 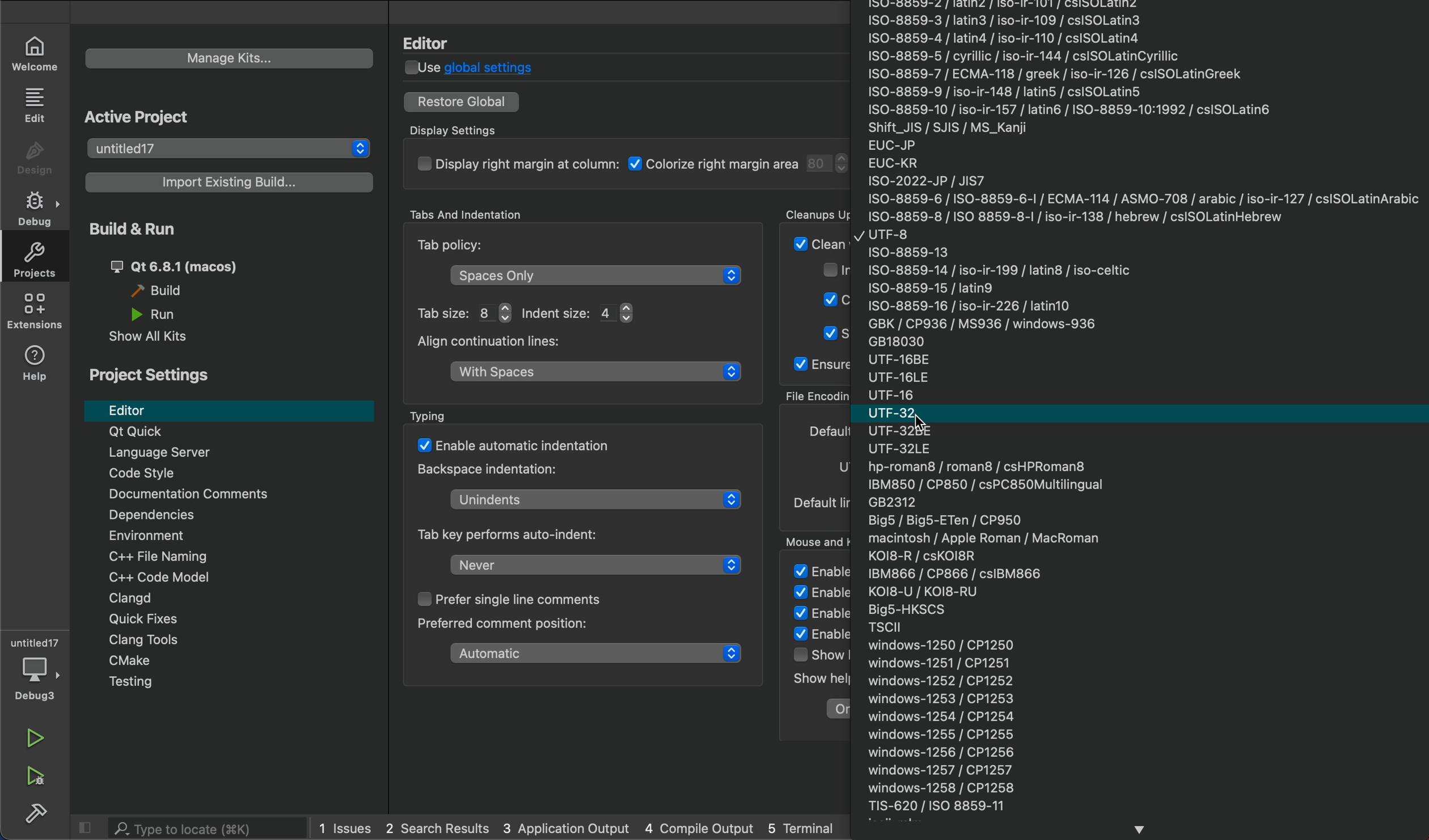 What do you see at coordinates (40, 813) in the screenshot?
I see `build` at bounding box center [40, 813].